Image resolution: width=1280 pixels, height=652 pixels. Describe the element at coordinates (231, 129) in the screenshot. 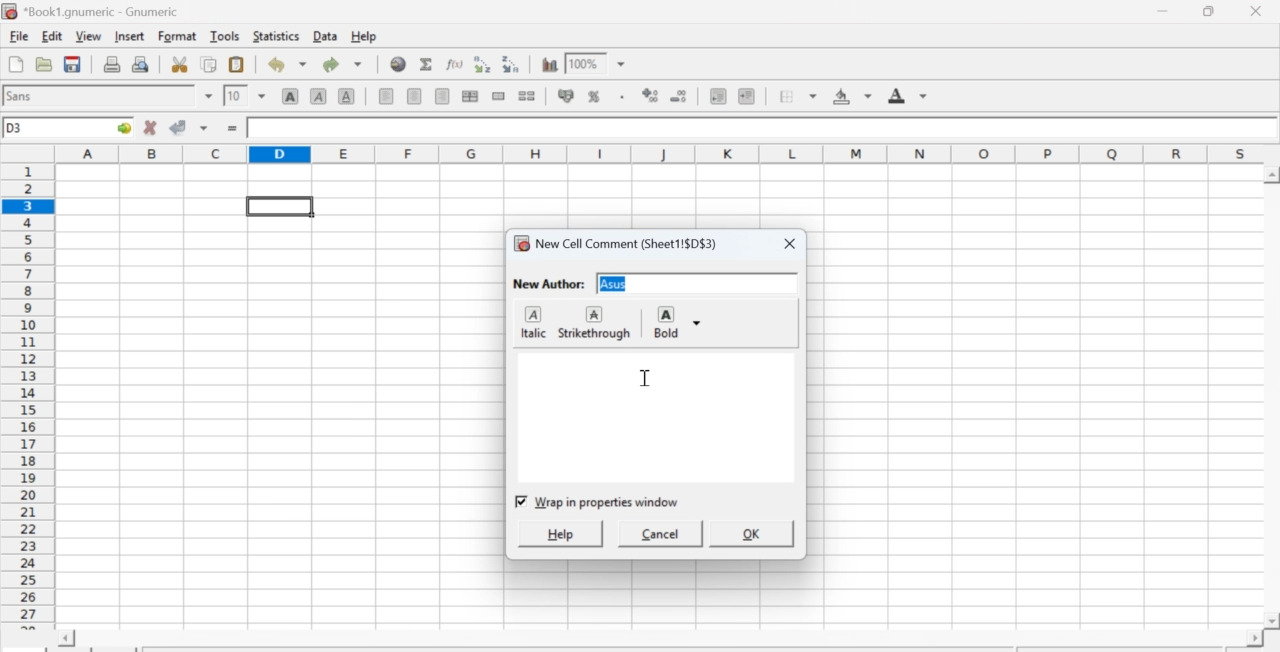

I see `=` at that location.